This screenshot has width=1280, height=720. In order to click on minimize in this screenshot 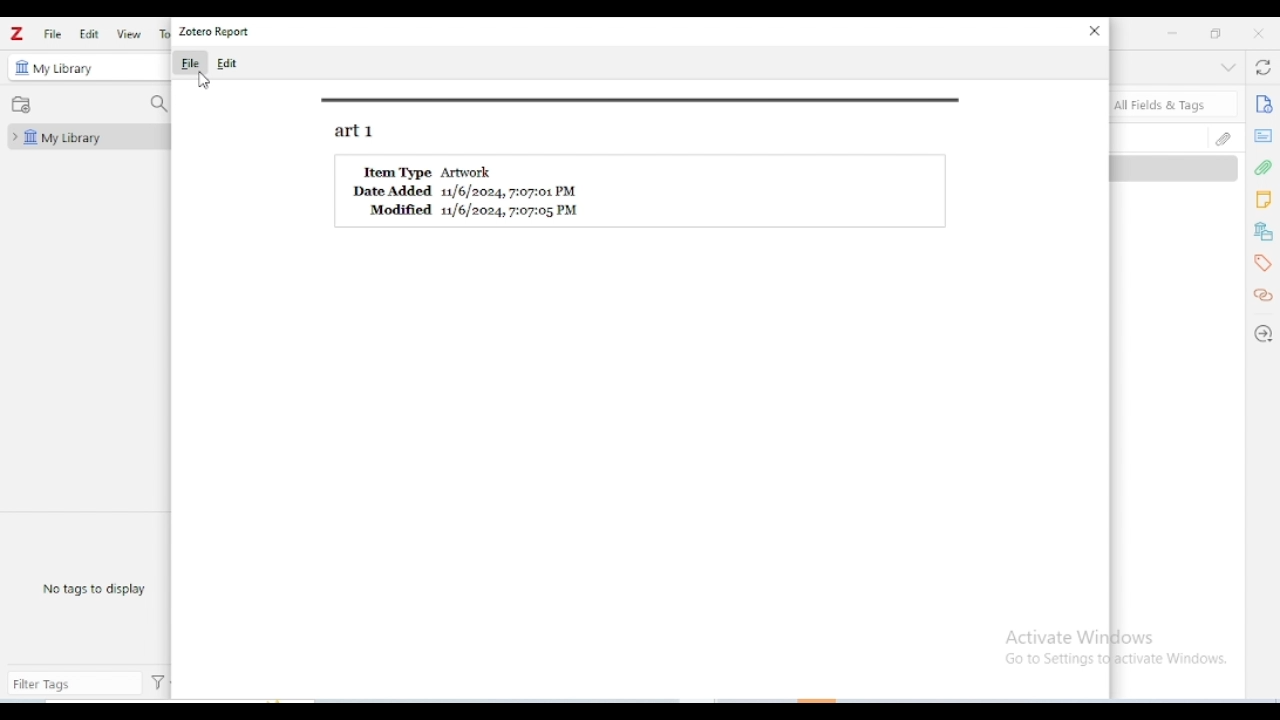, I will do `click(1173, 33)`.